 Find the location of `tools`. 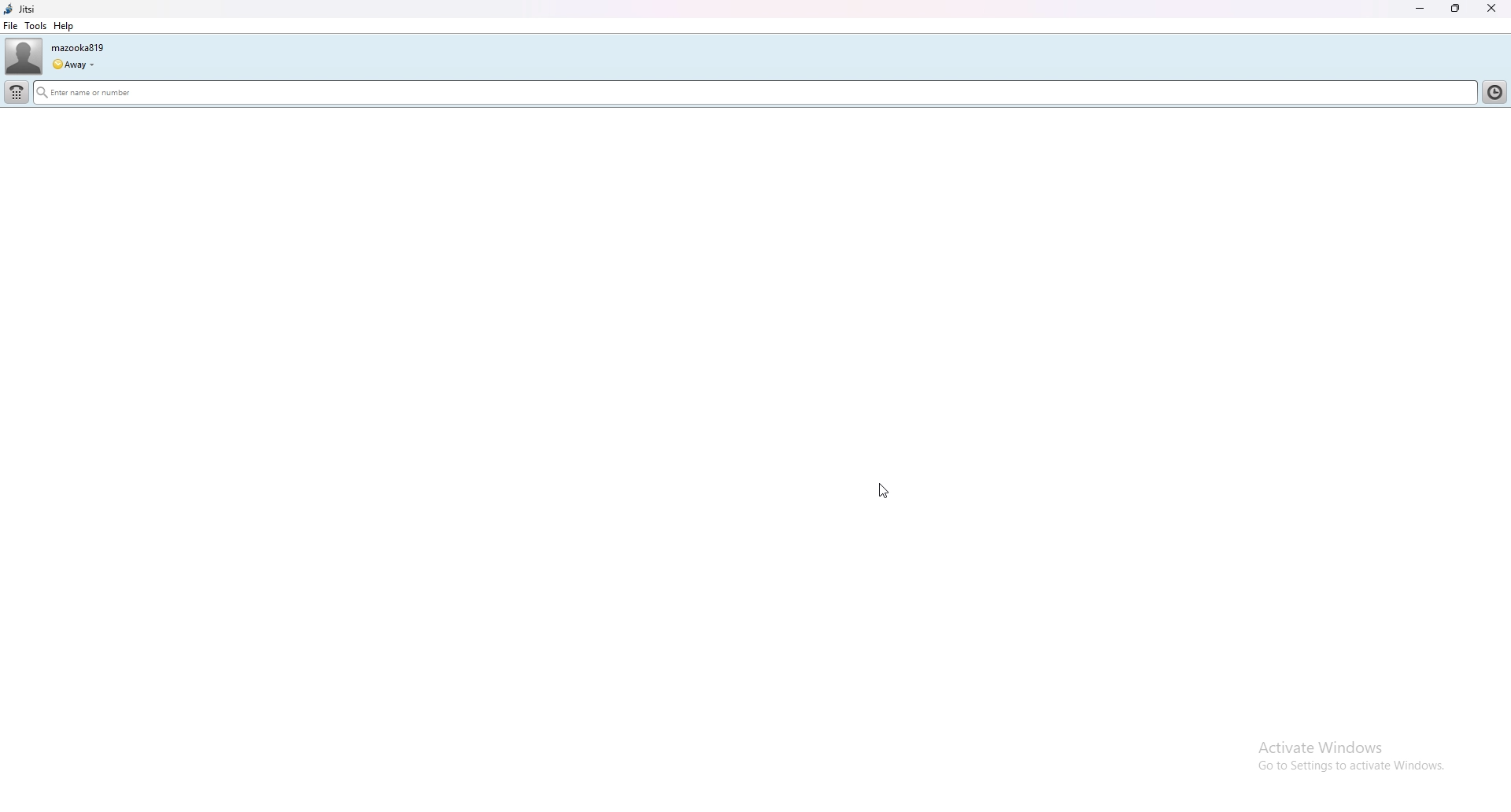

tools is located at coordinates (36, 25).